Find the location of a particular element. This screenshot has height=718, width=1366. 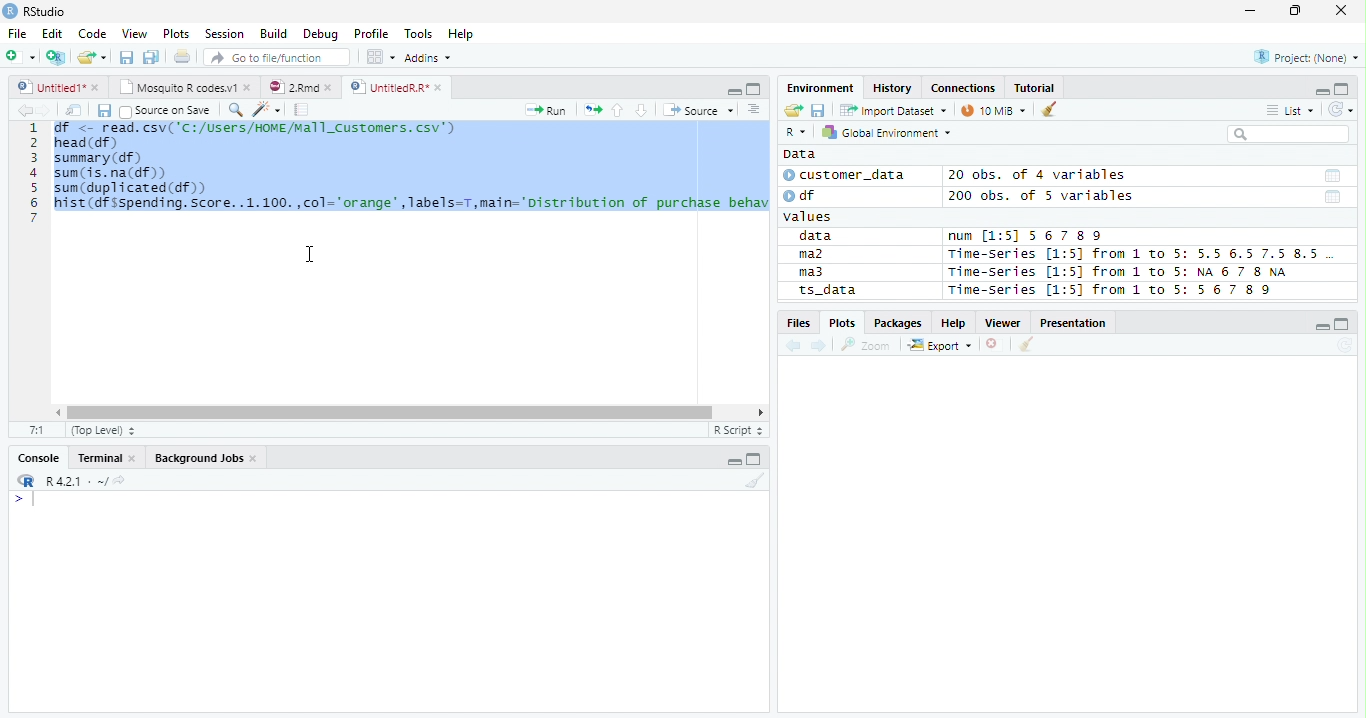

Save is located at coordinates (818, 109).